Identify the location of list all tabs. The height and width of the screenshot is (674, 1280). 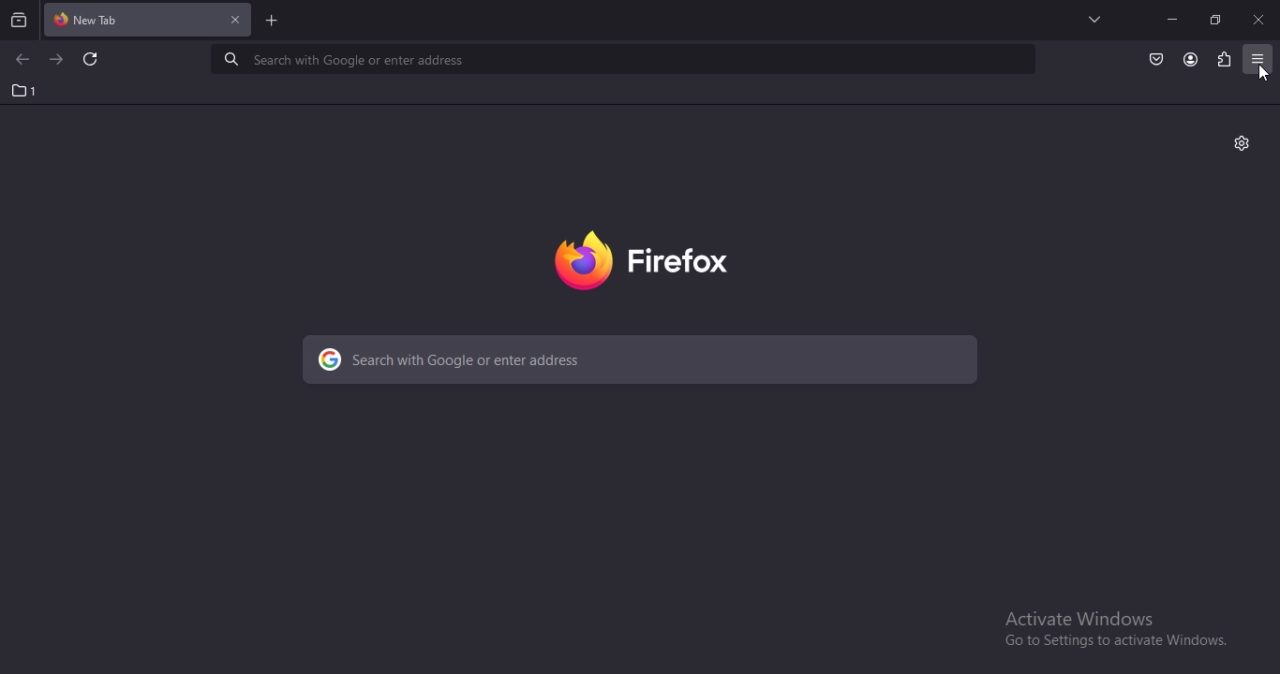
(1095, 19).